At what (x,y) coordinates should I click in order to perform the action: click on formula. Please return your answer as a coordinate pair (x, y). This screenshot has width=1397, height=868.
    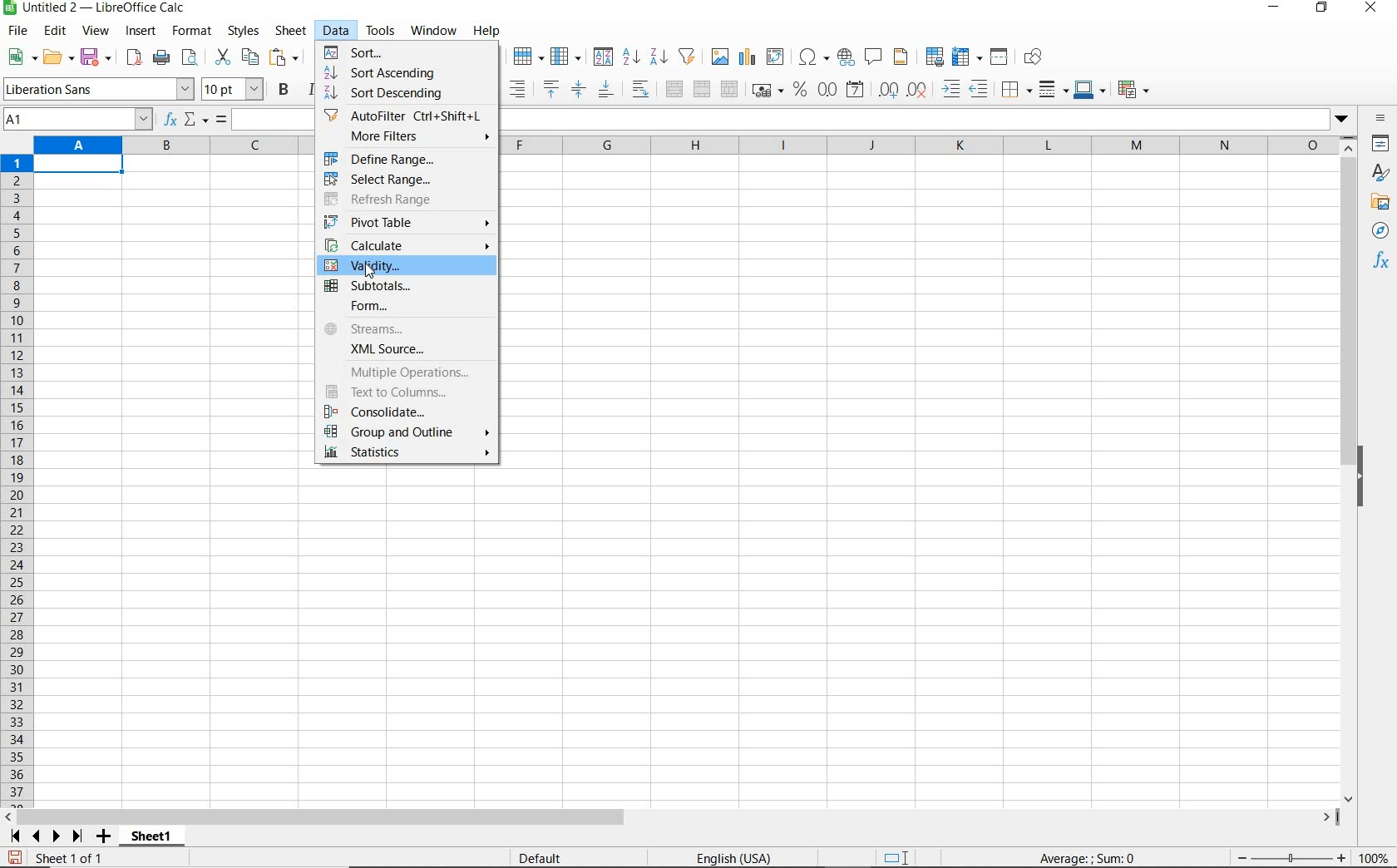
    Looking at the image, I should click on (222, 121).